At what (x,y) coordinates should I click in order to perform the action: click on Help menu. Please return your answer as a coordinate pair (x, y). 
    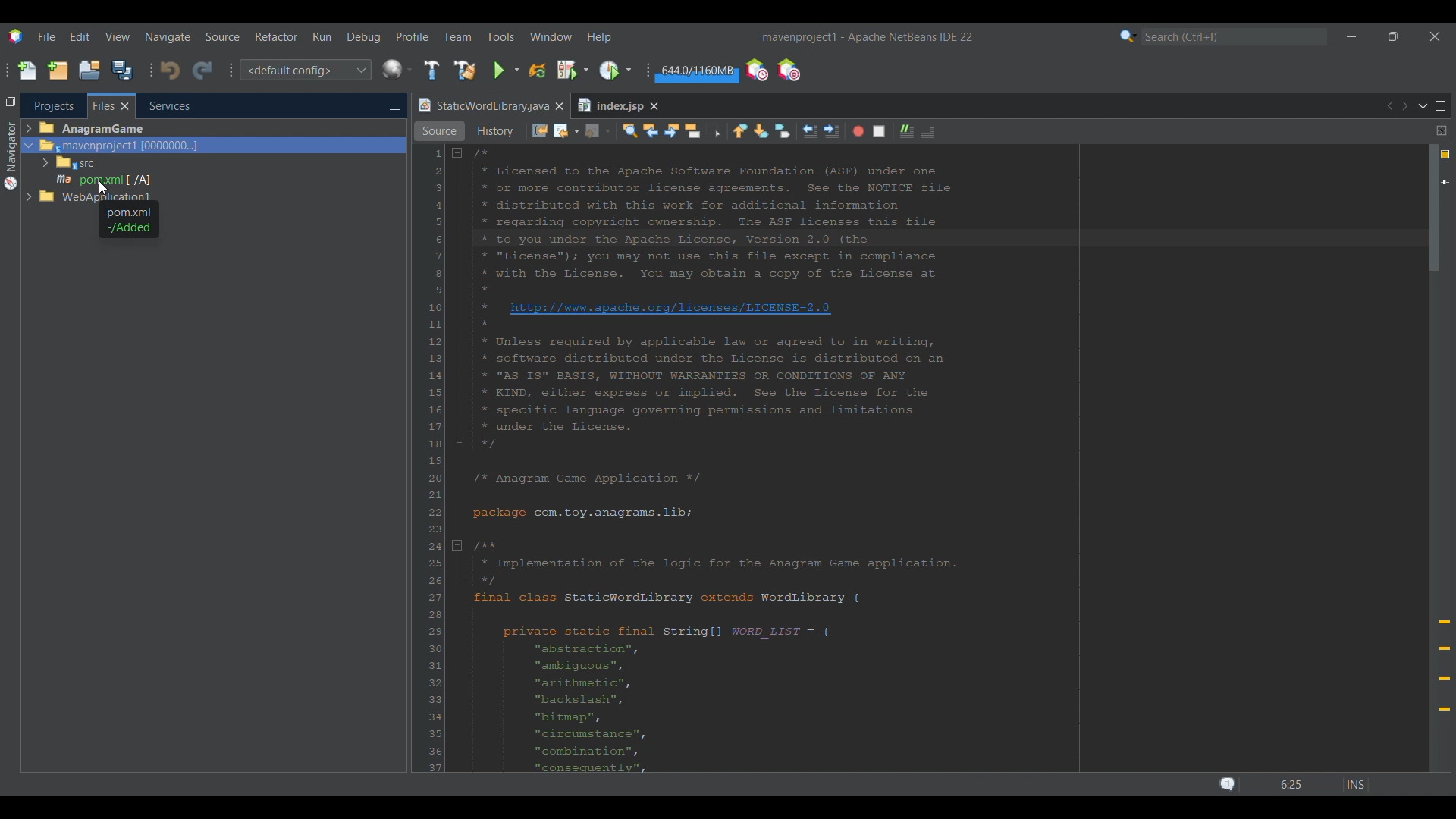
    Looking at the image, I should click on (598, 38).